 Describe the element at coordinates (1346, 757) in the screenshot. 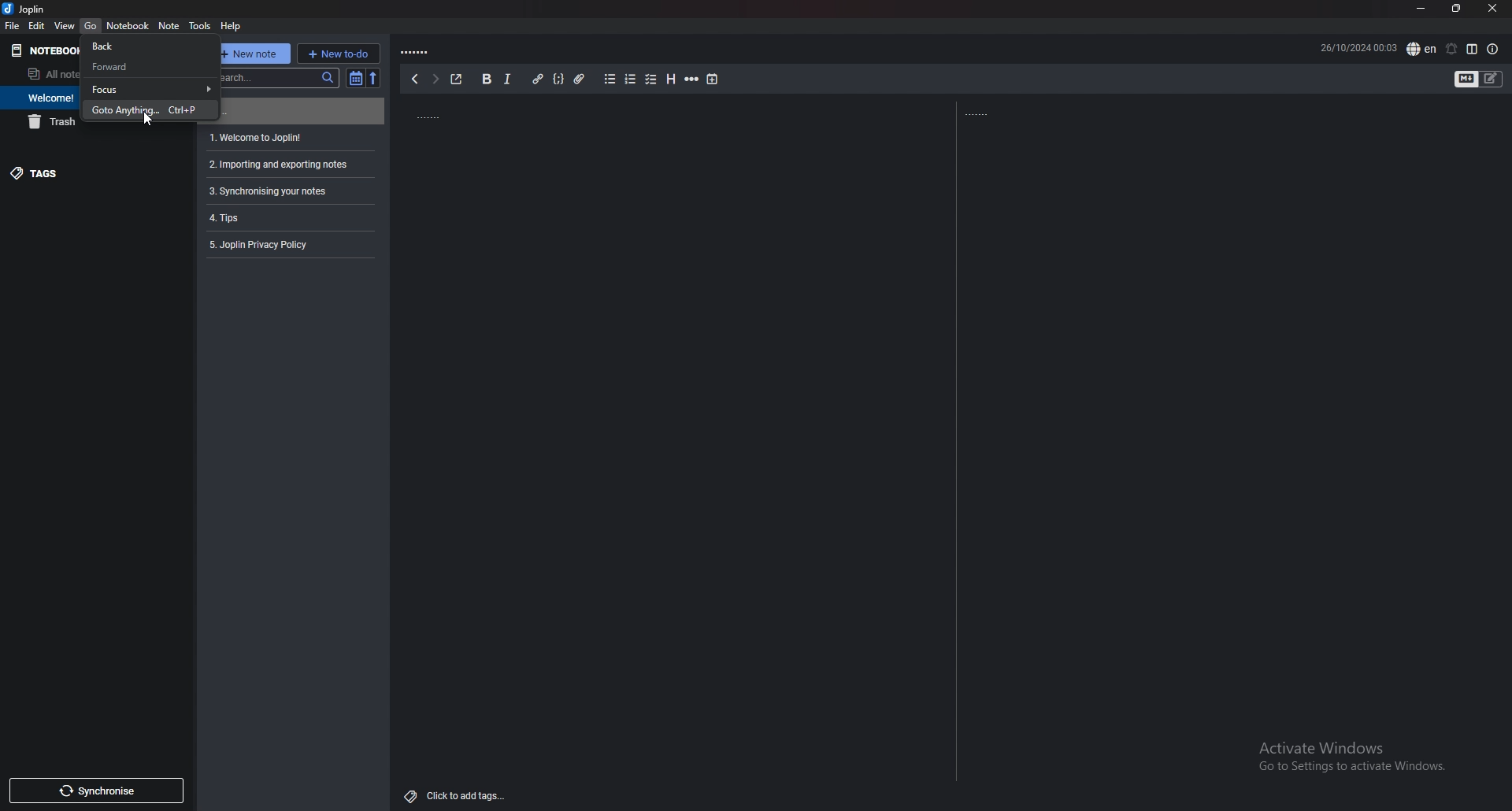

I see `` at that location.